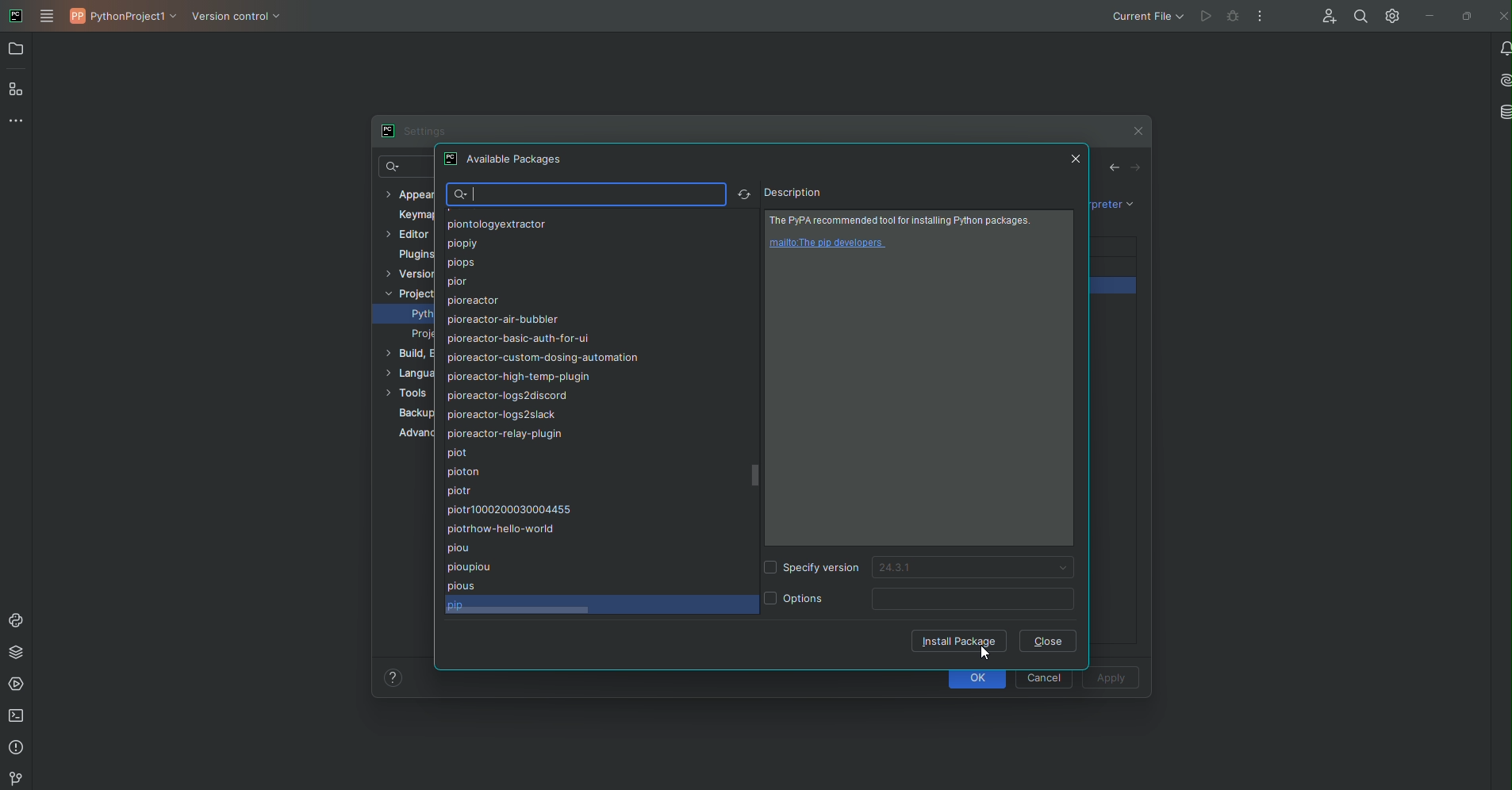  Describe the element at coordinates (1391, 17) in the screenshot. I see `Settings` at that location.